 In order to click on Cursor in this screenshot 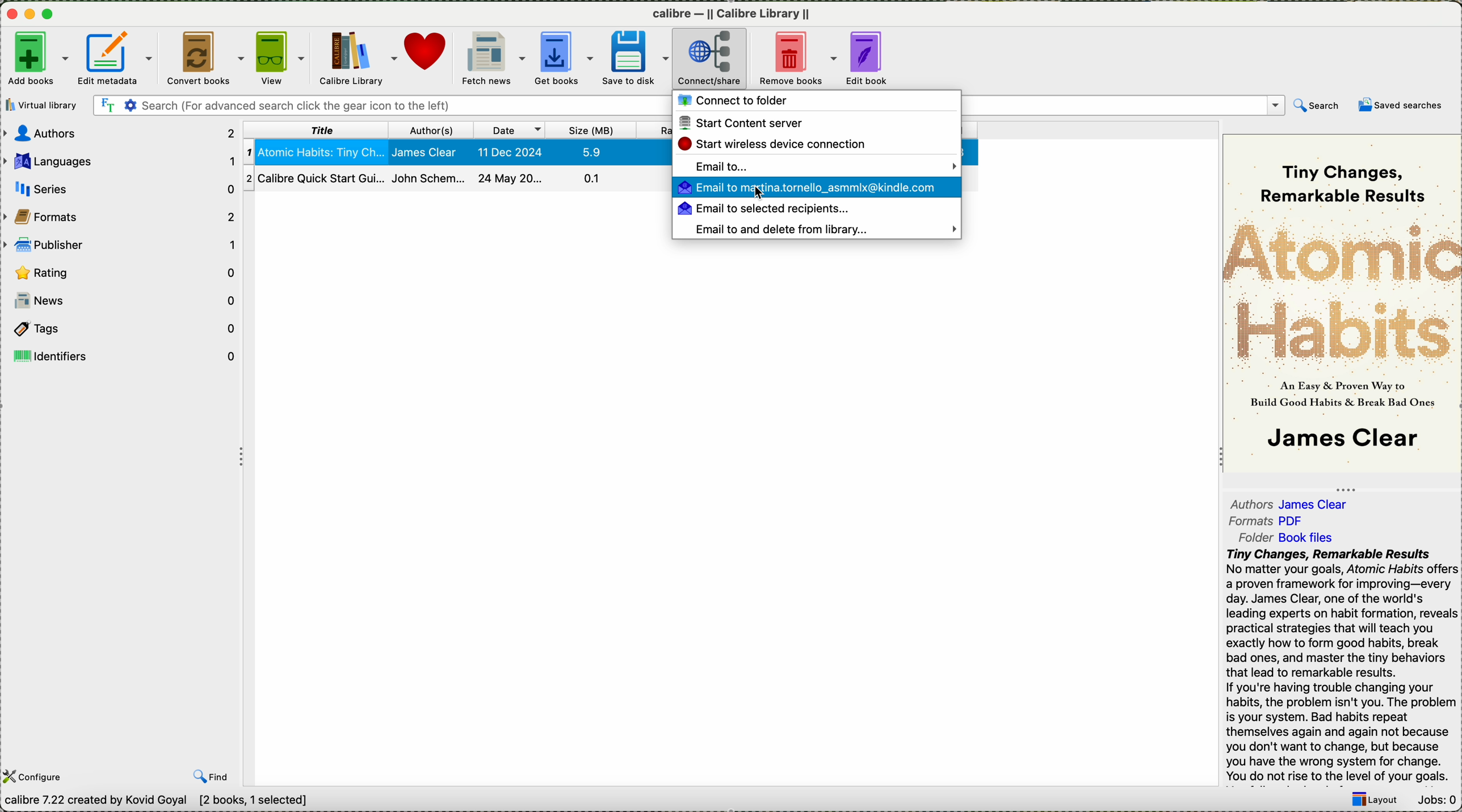, I will do `click(758, 197)`.